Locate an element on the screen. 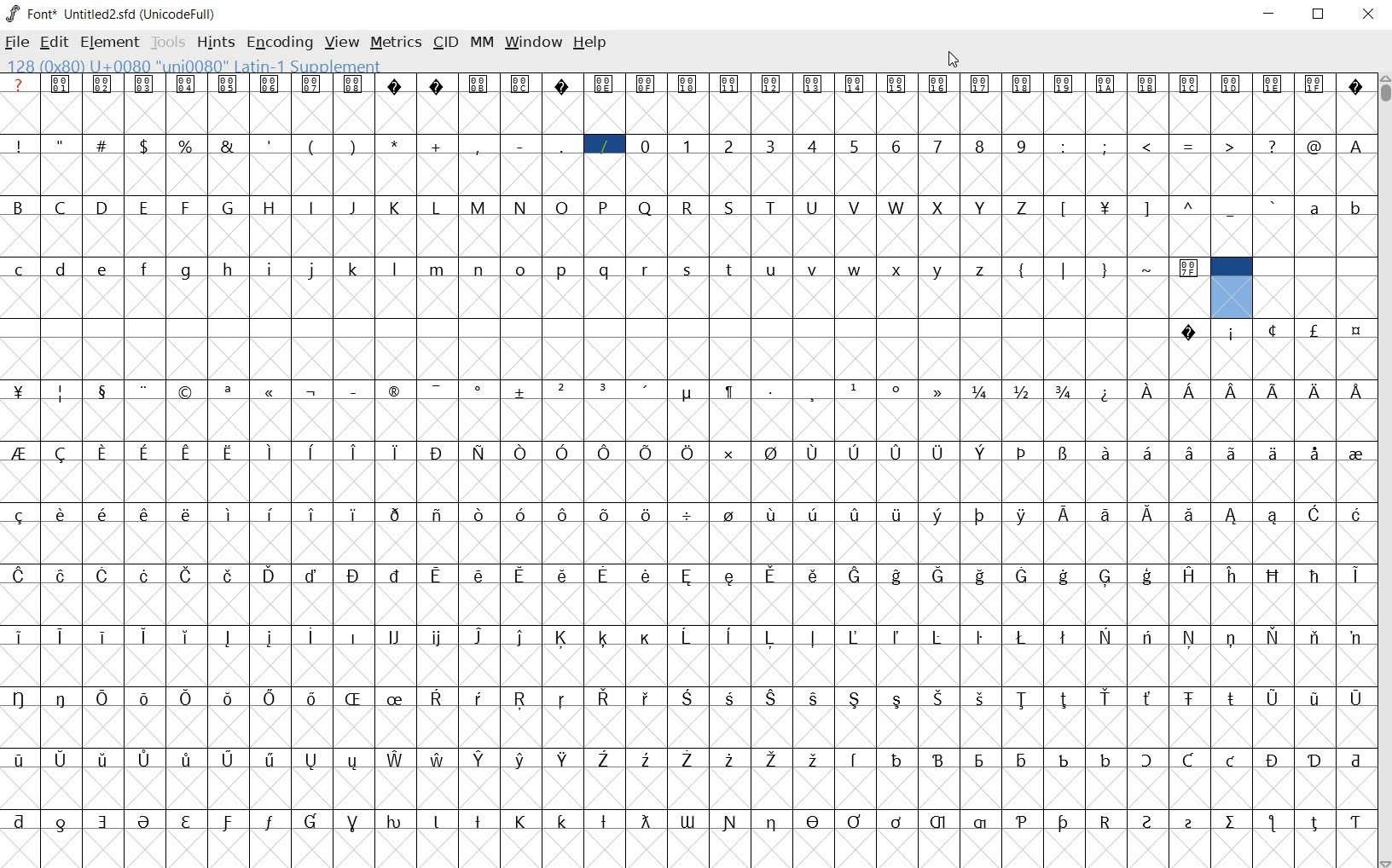 This screenshot has width=1392, height=868. S is located at coordinates (730, 208).